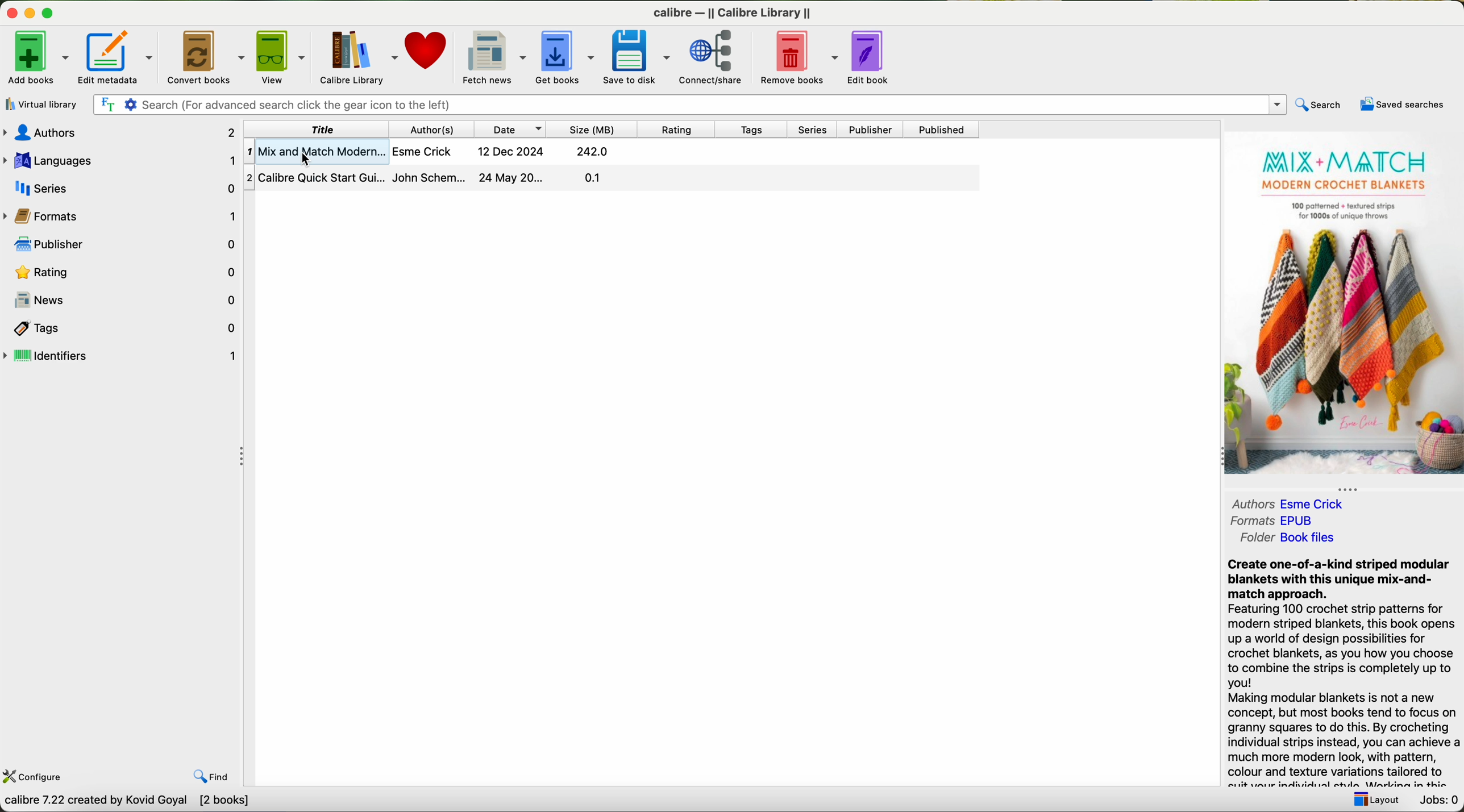  What do you see at coordinates (32, 13) in the screenshot?
I see `minimize program` at bounding box center [32, 13].